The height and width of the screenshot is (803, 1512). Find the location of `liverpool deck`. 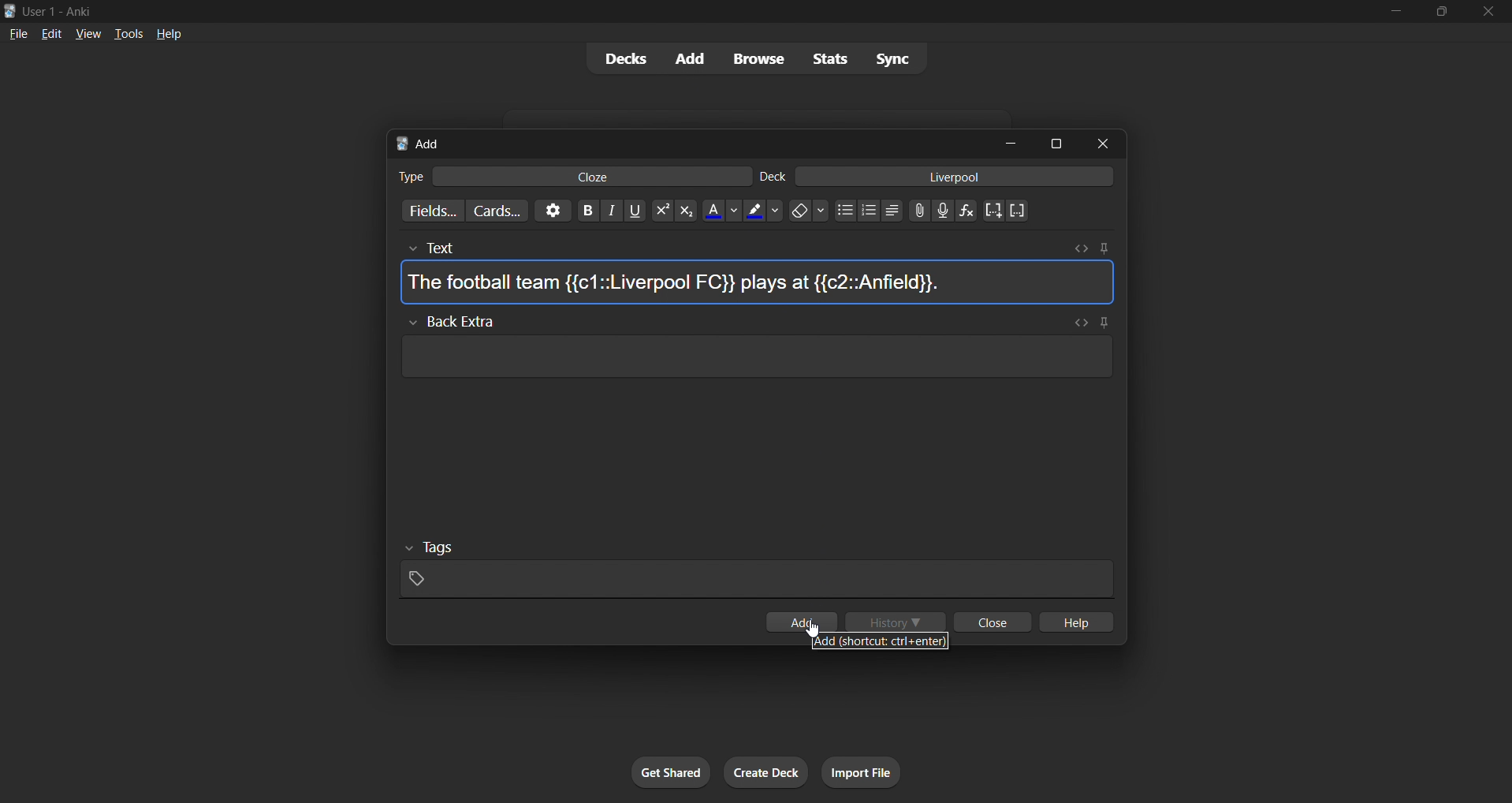

liverpool deck is located at coordinates (960, 179).